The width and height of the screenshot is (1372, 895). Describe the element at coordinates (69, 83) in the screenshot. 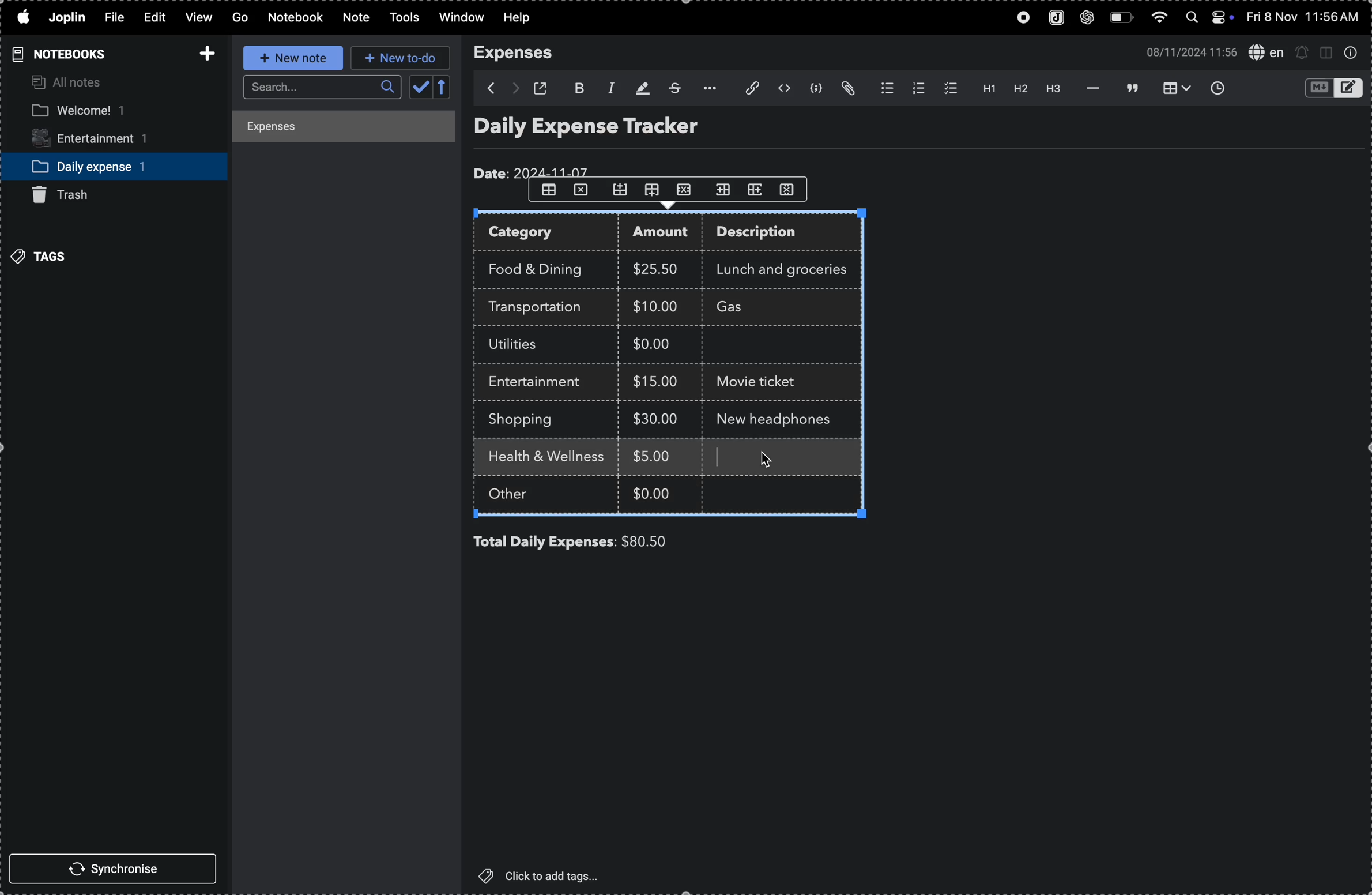

I see `all notes` at that location.